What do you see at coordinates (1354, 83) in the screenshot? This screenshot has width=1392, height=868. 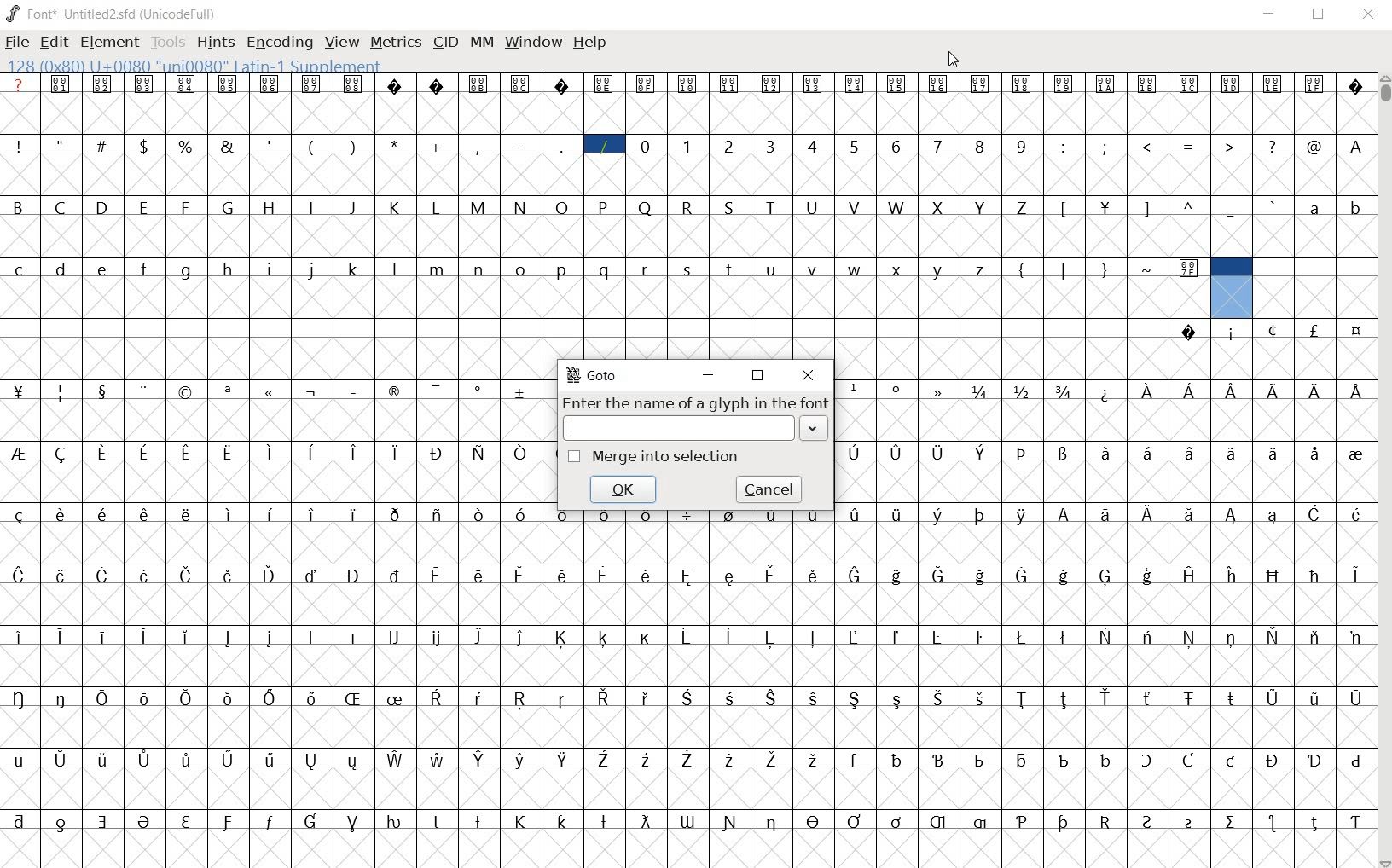 I see `Symbol` at bounding box center [1354, 83].